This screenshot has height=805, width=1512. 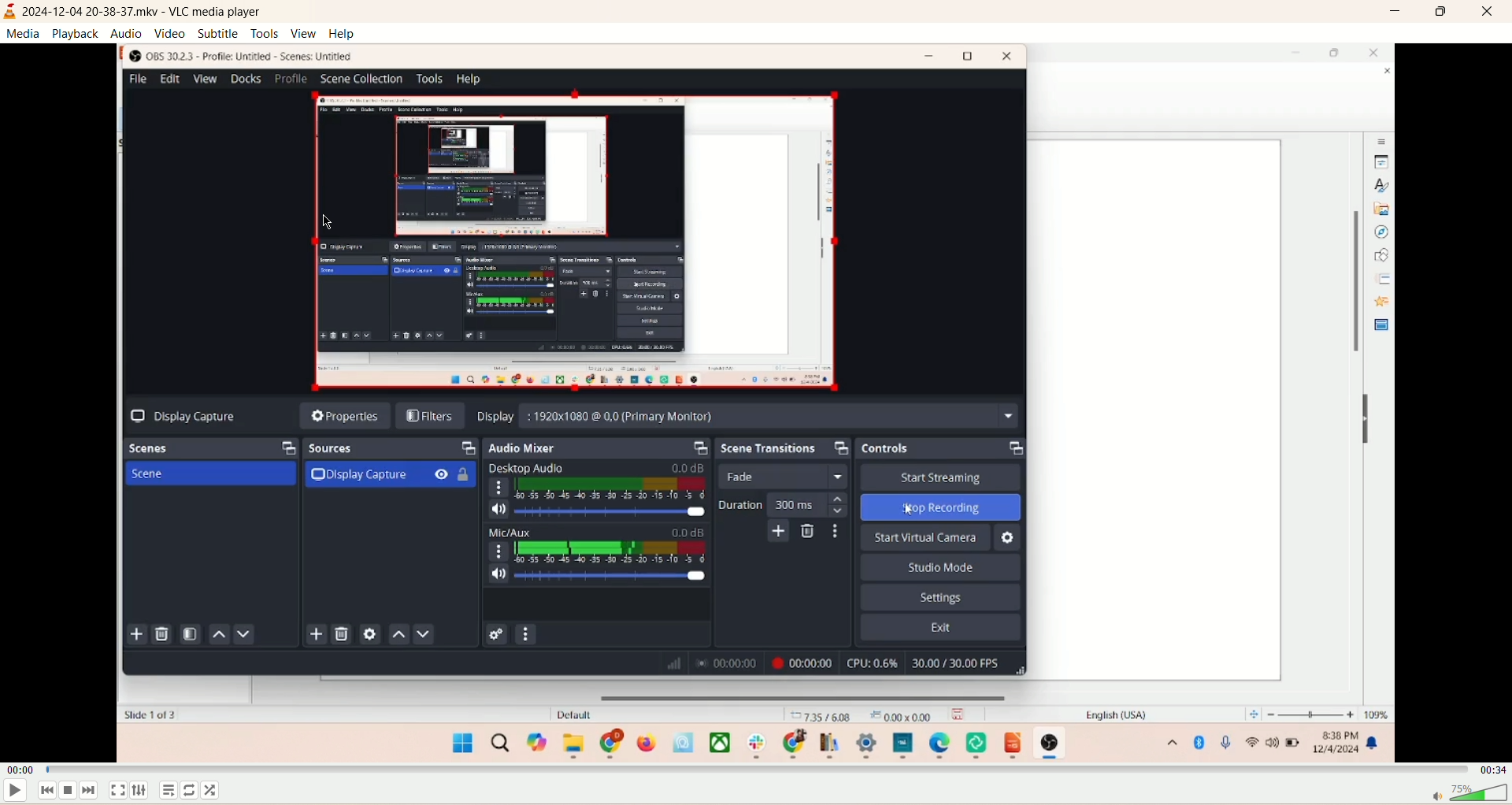 I want to click on help, so click(x=343, y=34).